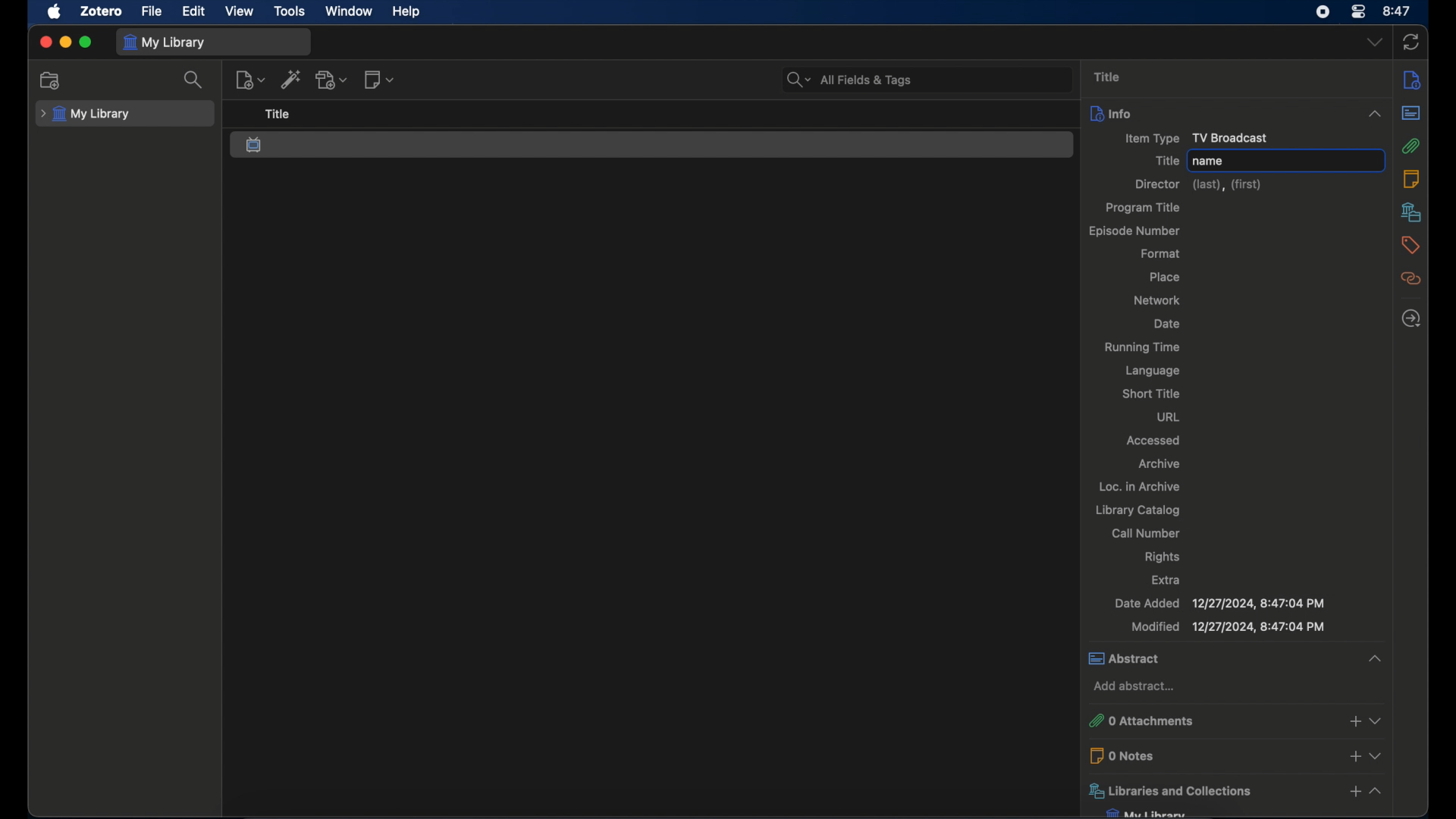 The height and width of the screenshot is (819, 1456). What do you see at coordinates (1107, 77) in the screenshot?
I see `title` at bounding box center [1107, 77].